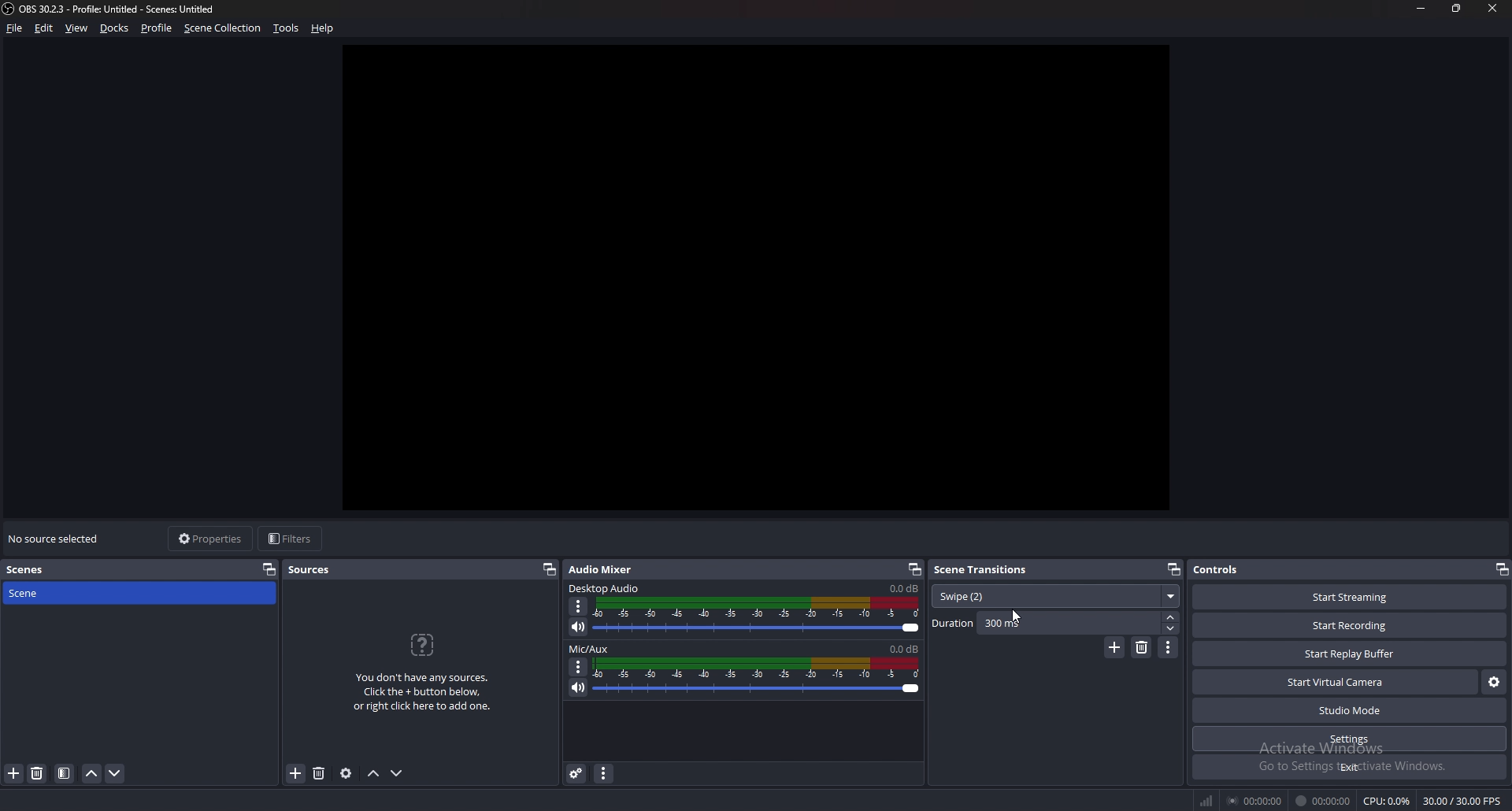 Image resolution: width=1512 pixels, height=811 pixels. I want to click on minimize, so click(1421, 8).